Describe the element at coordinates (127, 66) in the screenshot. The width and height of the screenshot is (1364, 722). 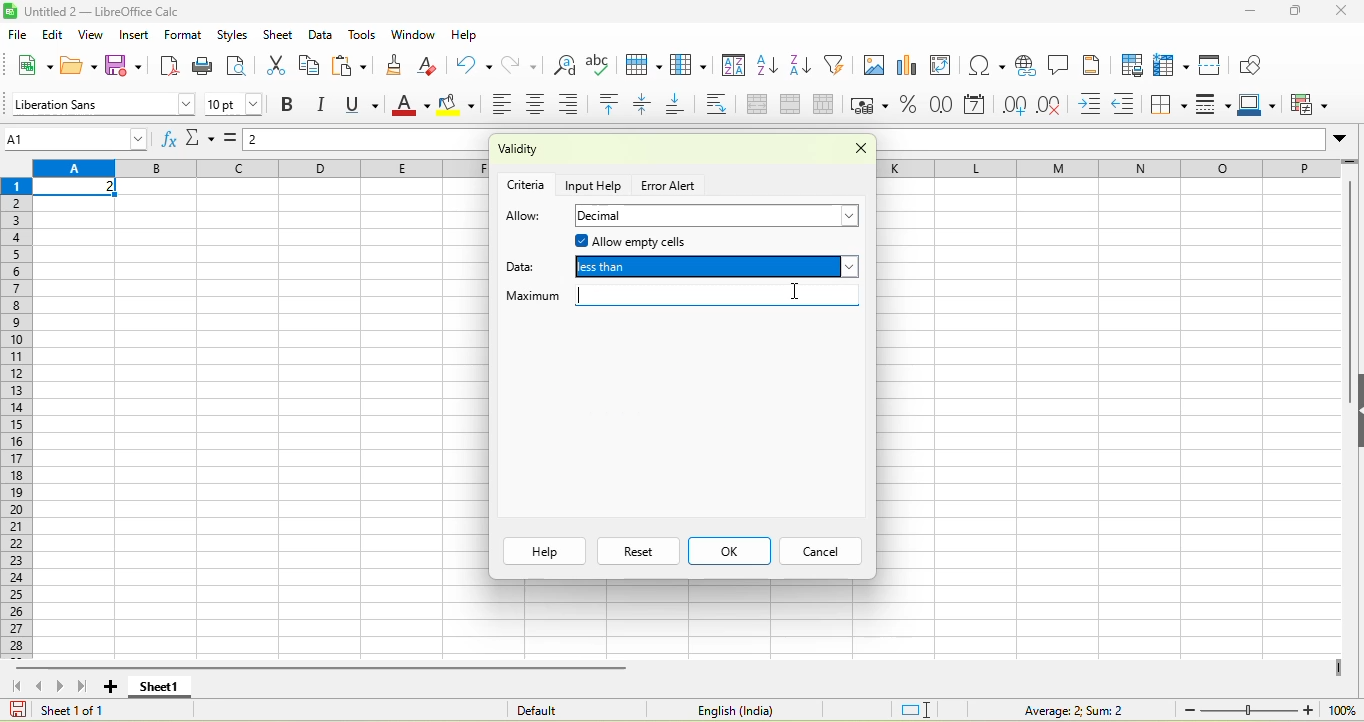
I see `save` at that location.